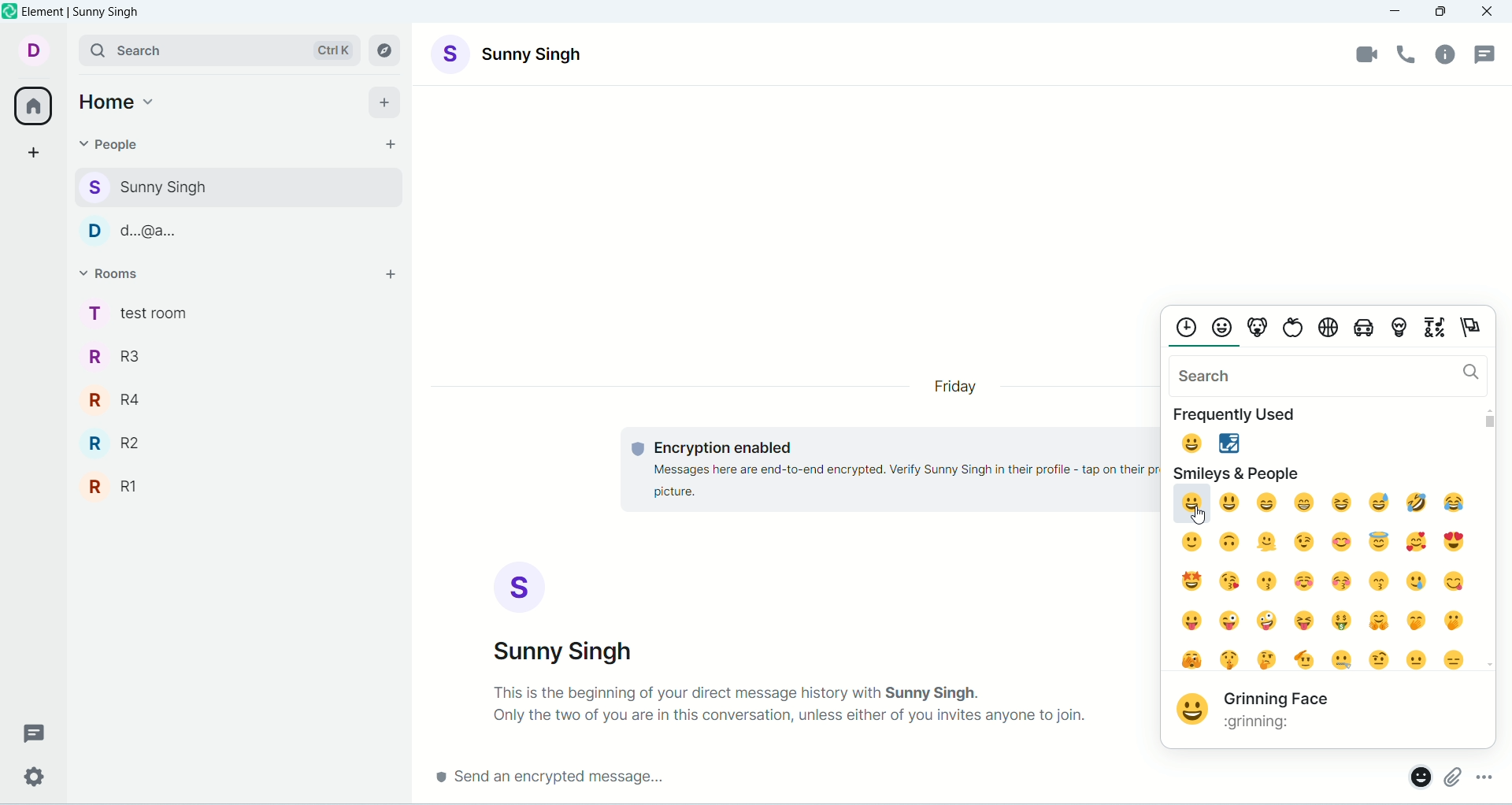 Image resolution: width=1512 pixels, height=805 pixels. I want to click on test, so click(882, 471).